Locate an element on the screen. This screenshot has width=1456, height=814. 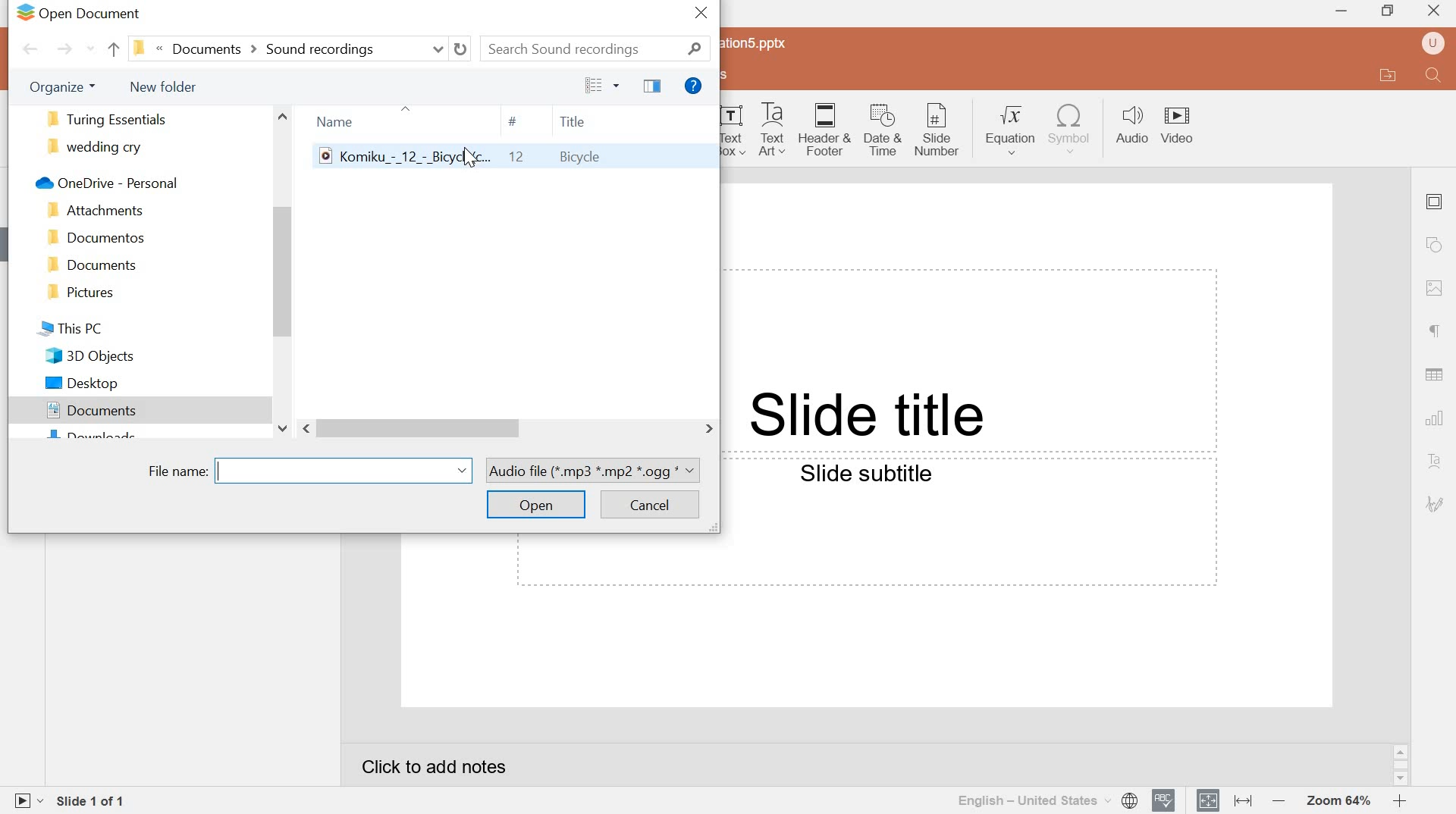
start slideshow is located at coordinates (26, 800).